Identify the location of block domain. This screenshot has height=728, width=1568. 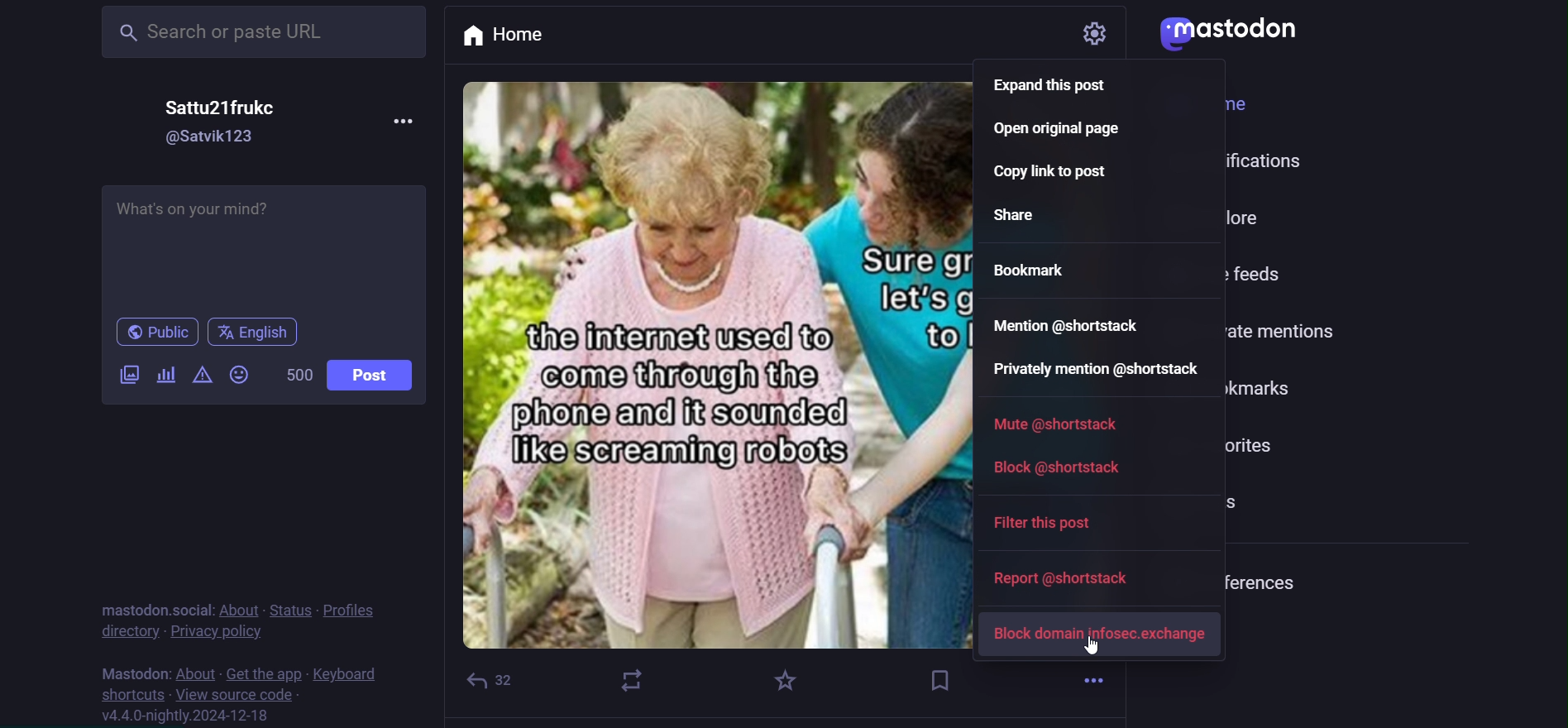
(1101, 635).